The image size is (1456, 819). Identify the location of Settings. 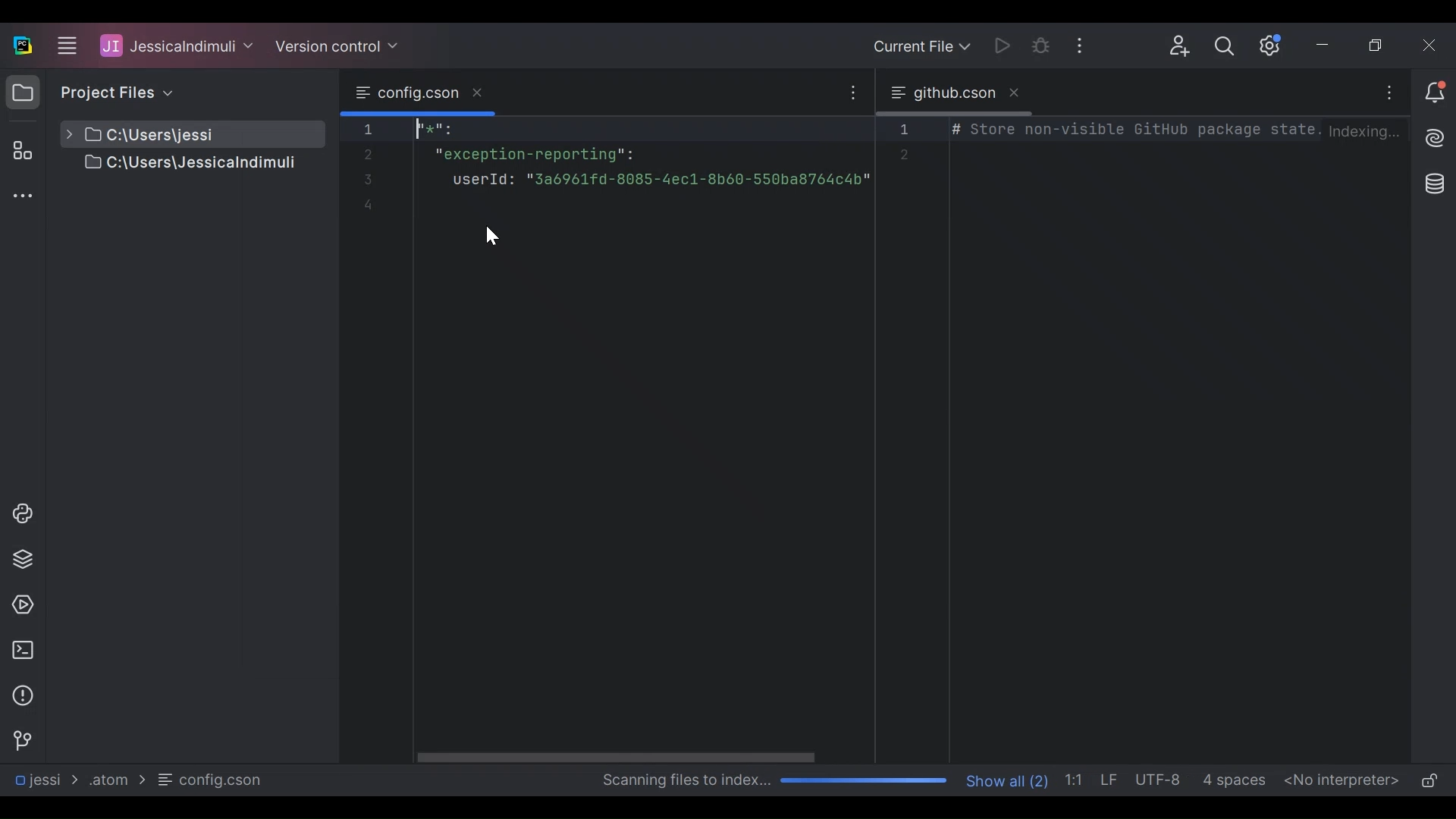
(1272, 45).